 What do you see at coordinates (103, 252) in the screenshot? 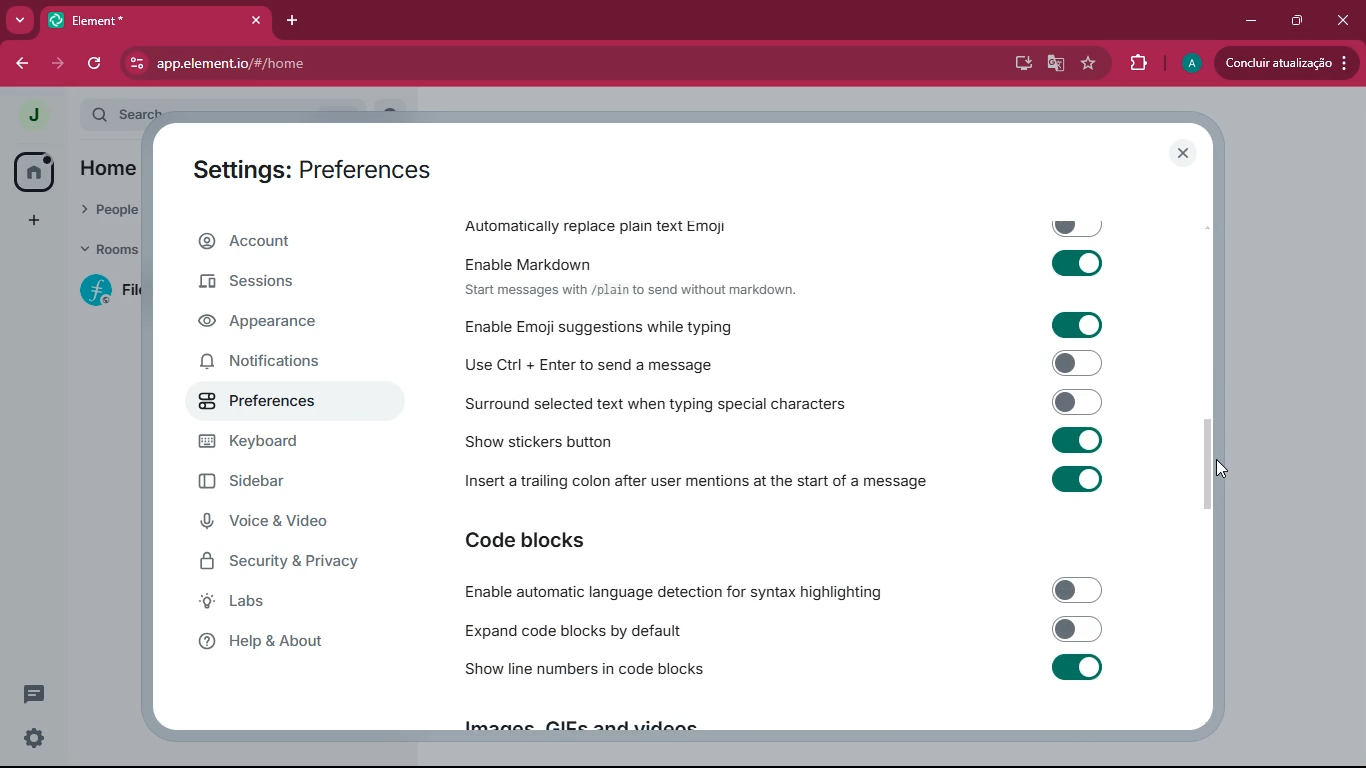
I see `rooms` at bounding box center [103, 252].